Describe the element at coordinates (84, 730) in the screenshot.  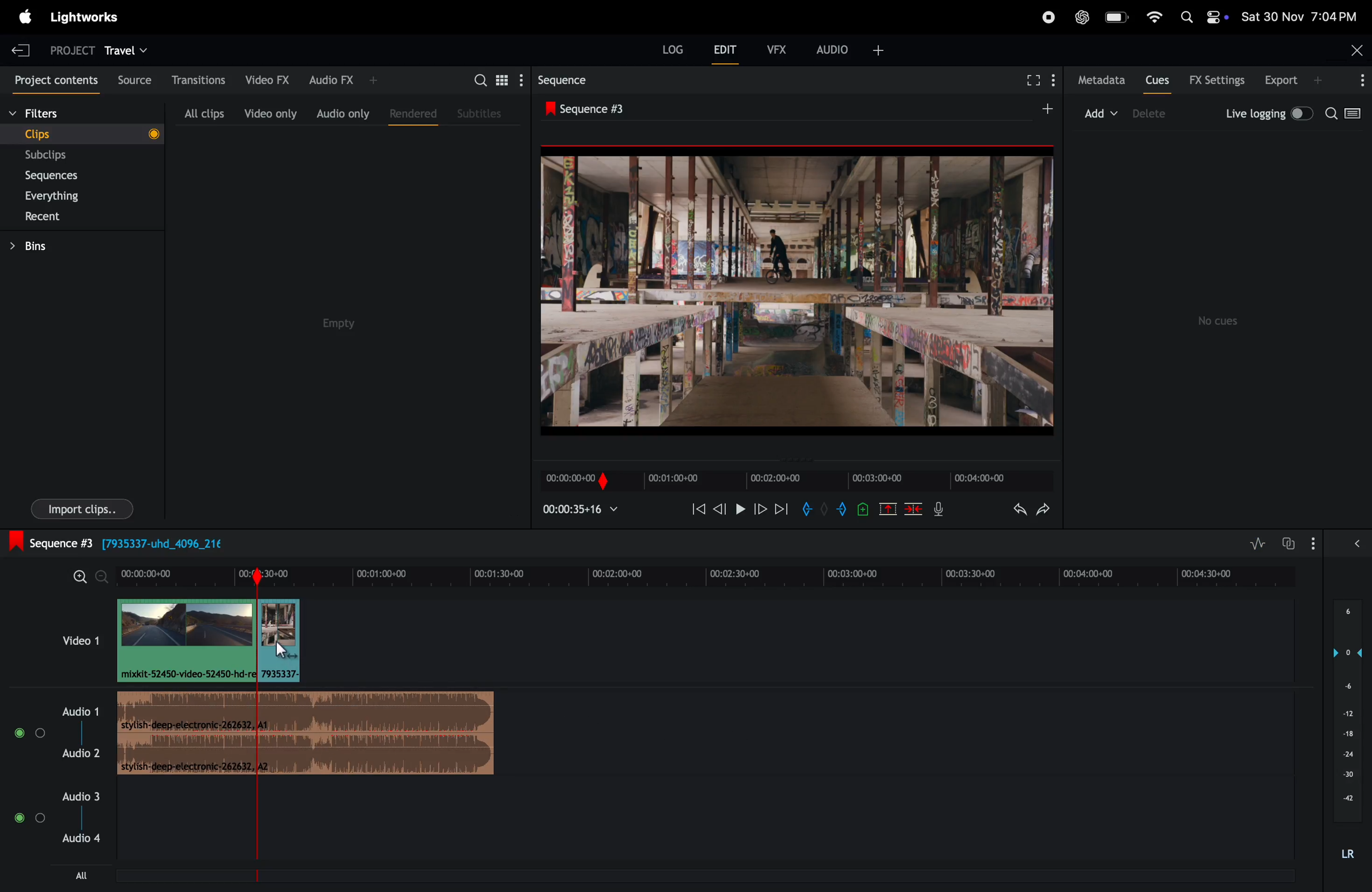
I see `Audio 1 -- Audio 2` at that location.